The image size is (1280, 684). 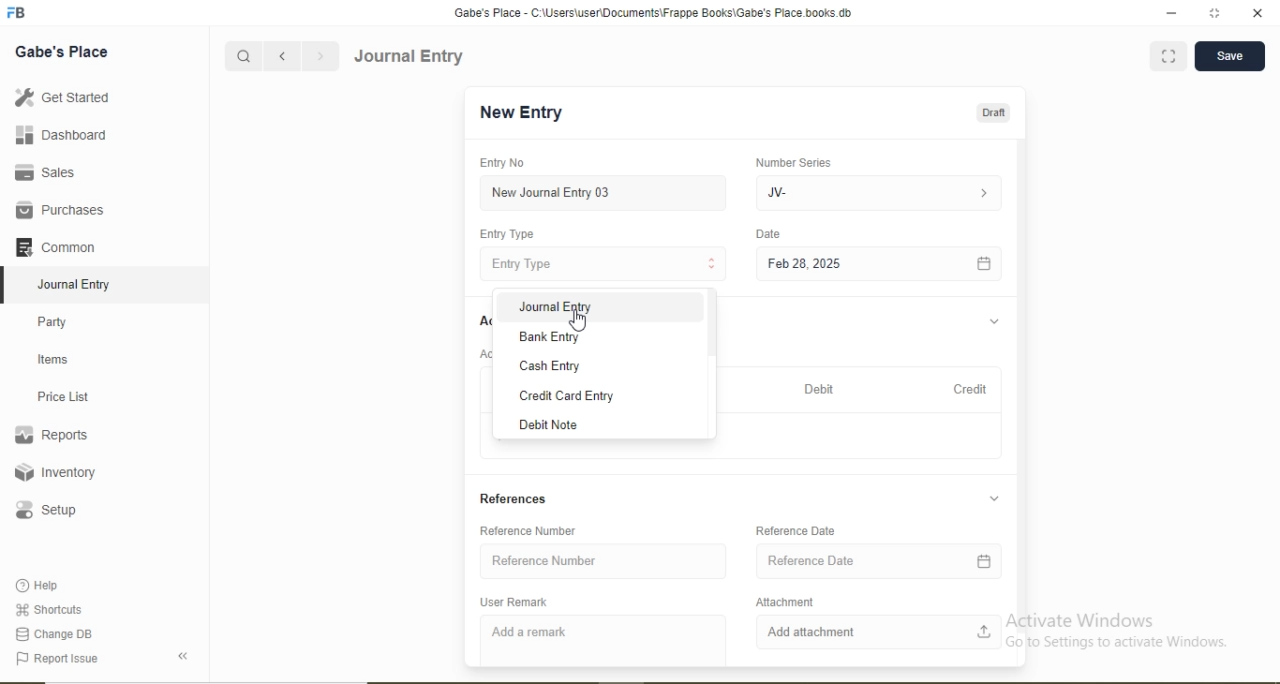 I want to click on Backward, so click(x=282, y=57).